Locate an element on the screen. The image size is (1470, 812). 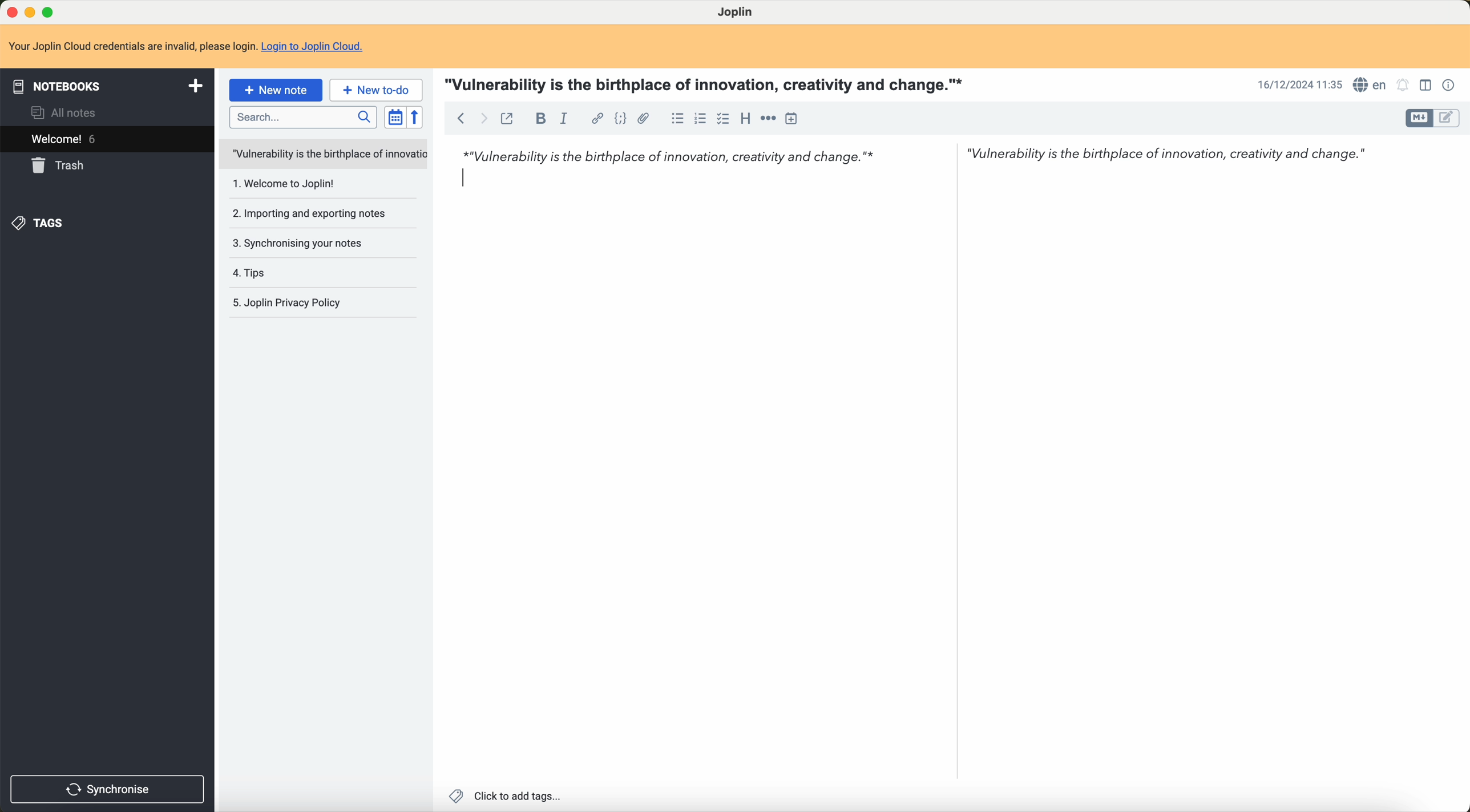
new to-do is located at coordinates (377, 90).